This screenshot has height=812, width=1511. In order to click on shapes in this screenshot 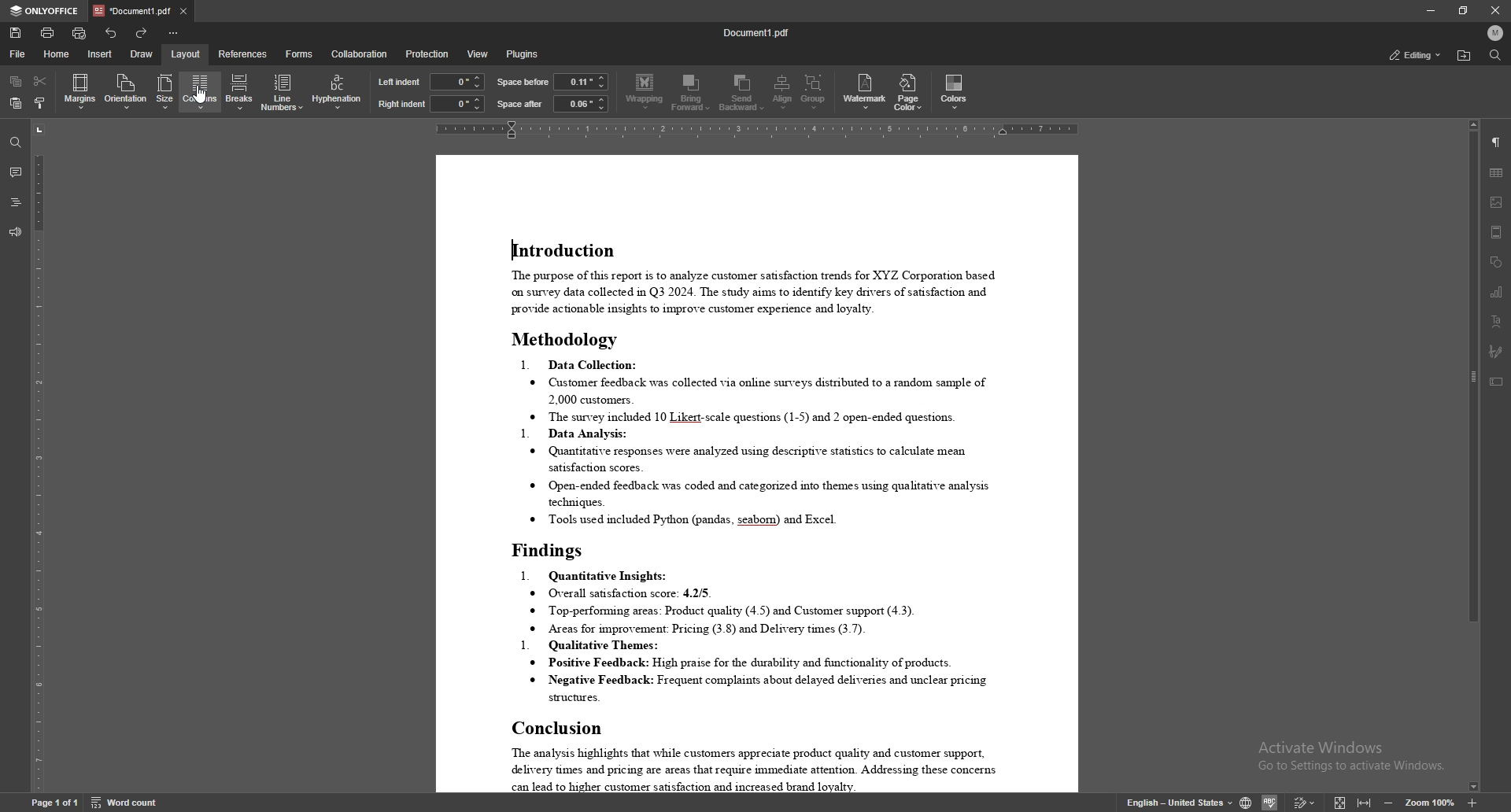, I will do `click(1497, 262)`.